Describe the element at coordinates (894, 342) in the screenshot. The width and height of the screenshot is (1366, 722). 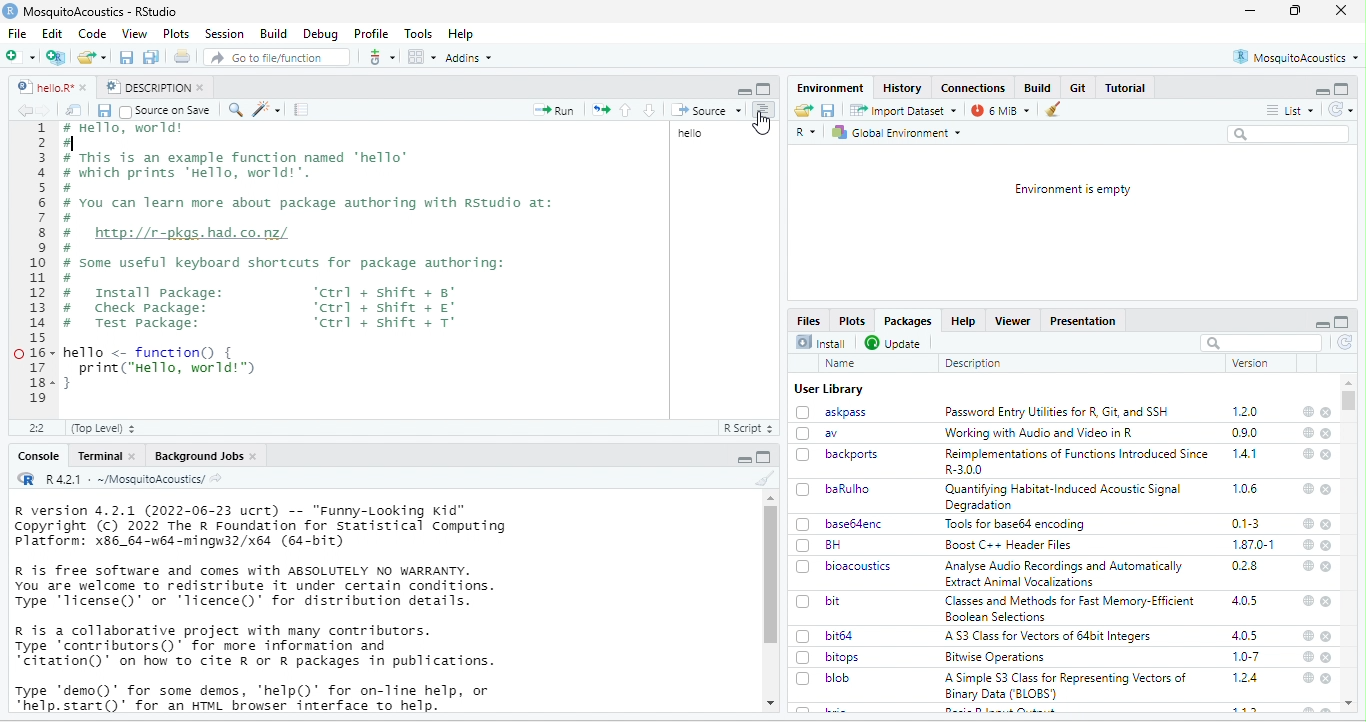
I see `Update` at that location.